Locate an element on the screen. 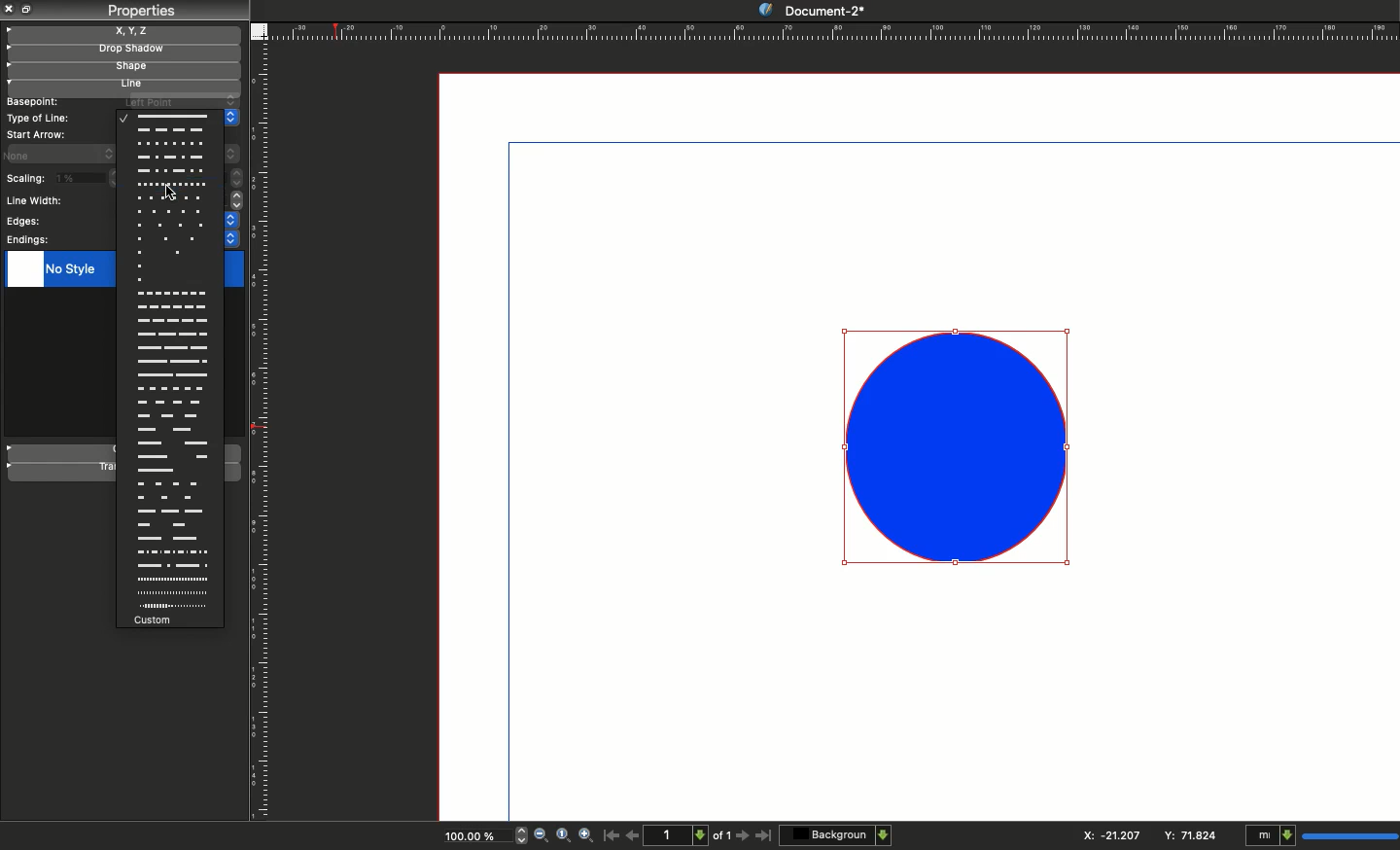 Image resolution: width=1400 pixels, height=850 pixels. cursor is located at coordinates (169, 195).